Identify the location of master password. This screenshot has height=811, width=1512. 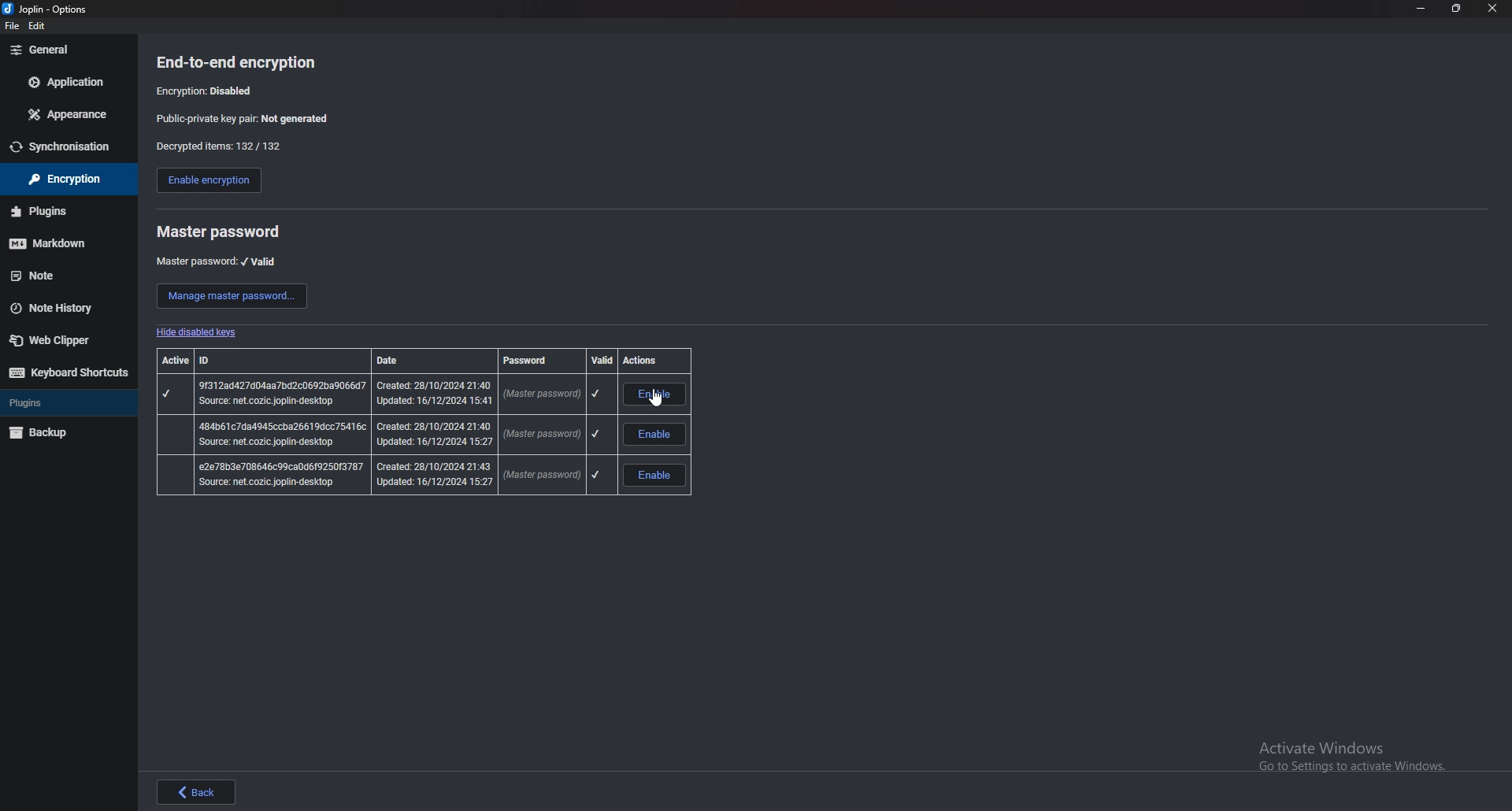
(222, 232).